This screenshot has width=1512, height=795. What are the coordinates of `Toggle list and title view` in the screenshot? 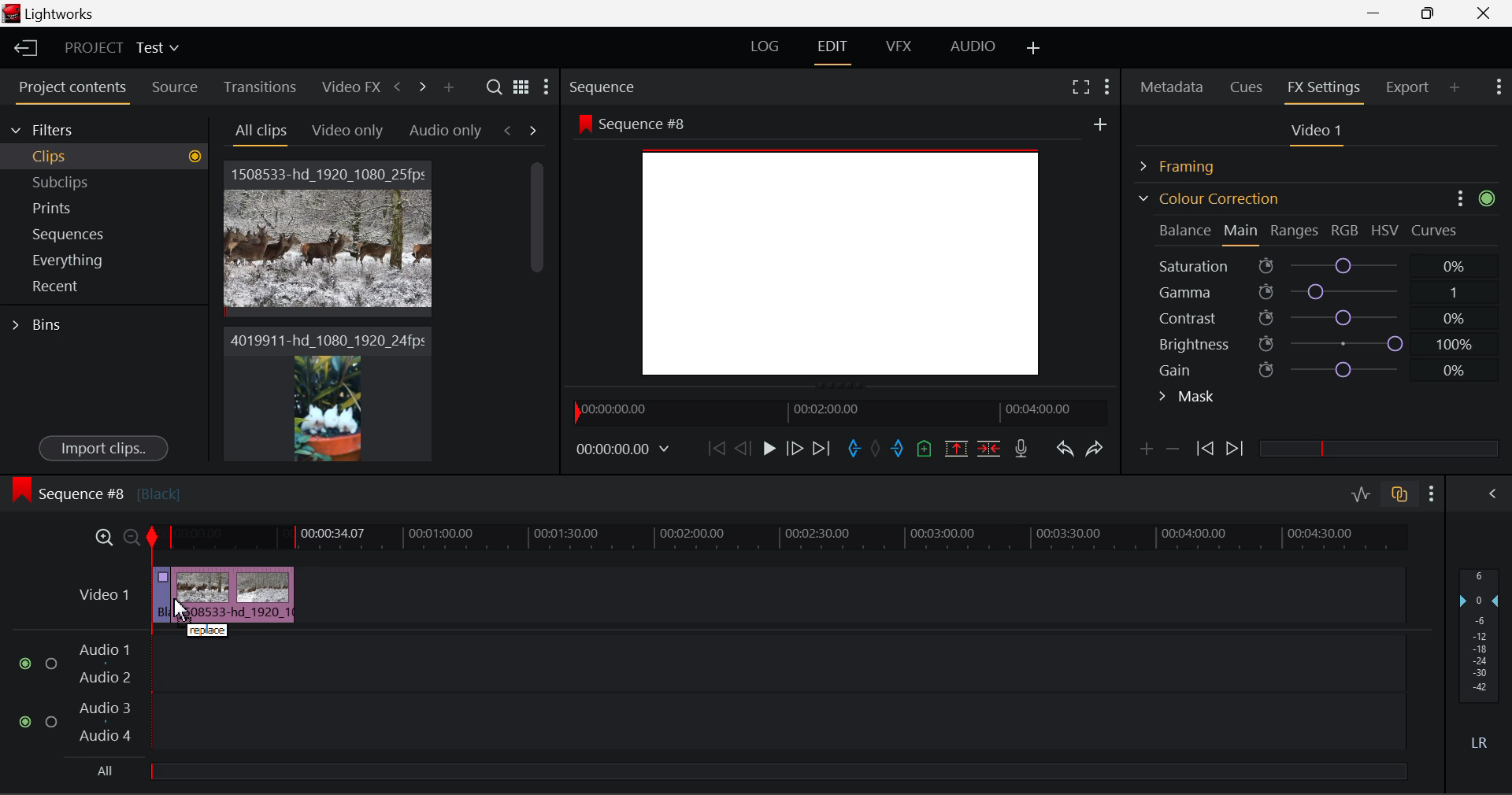 It's located at (521, 87).